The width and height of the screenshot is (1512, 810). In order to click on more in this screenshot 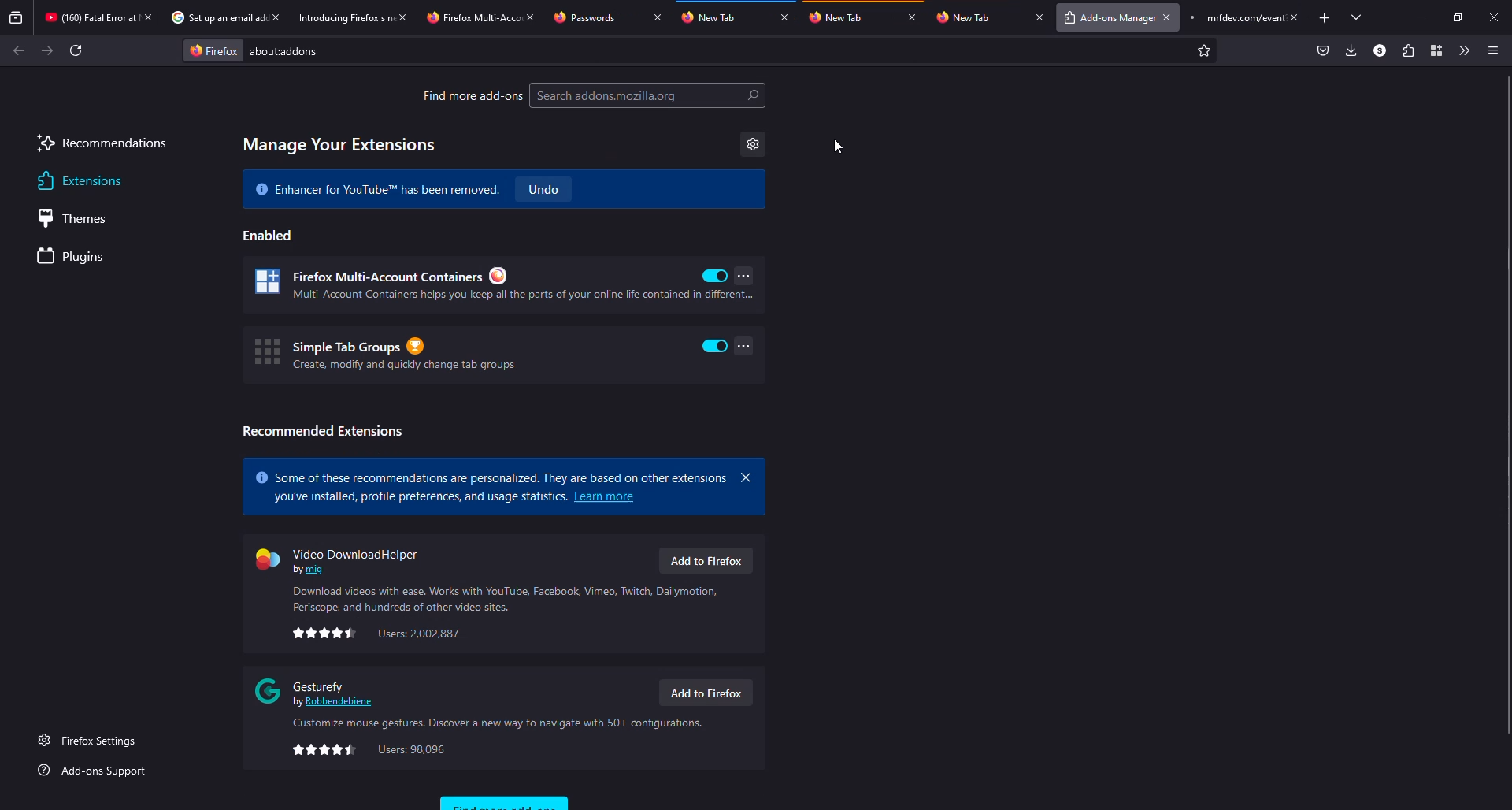, I will do `click(743, 275)`.